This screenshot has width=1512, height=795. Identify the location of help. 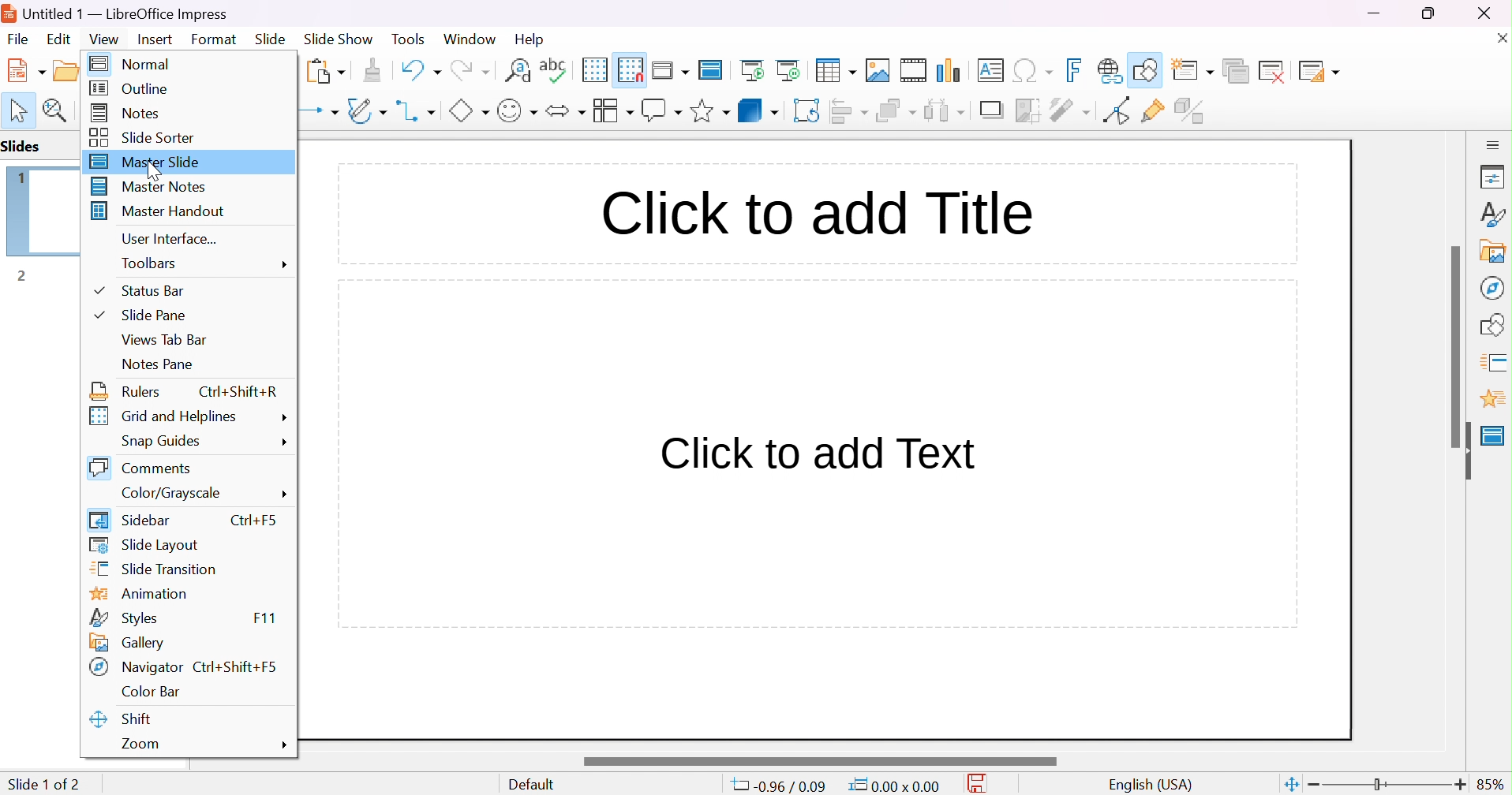
(531, 39).